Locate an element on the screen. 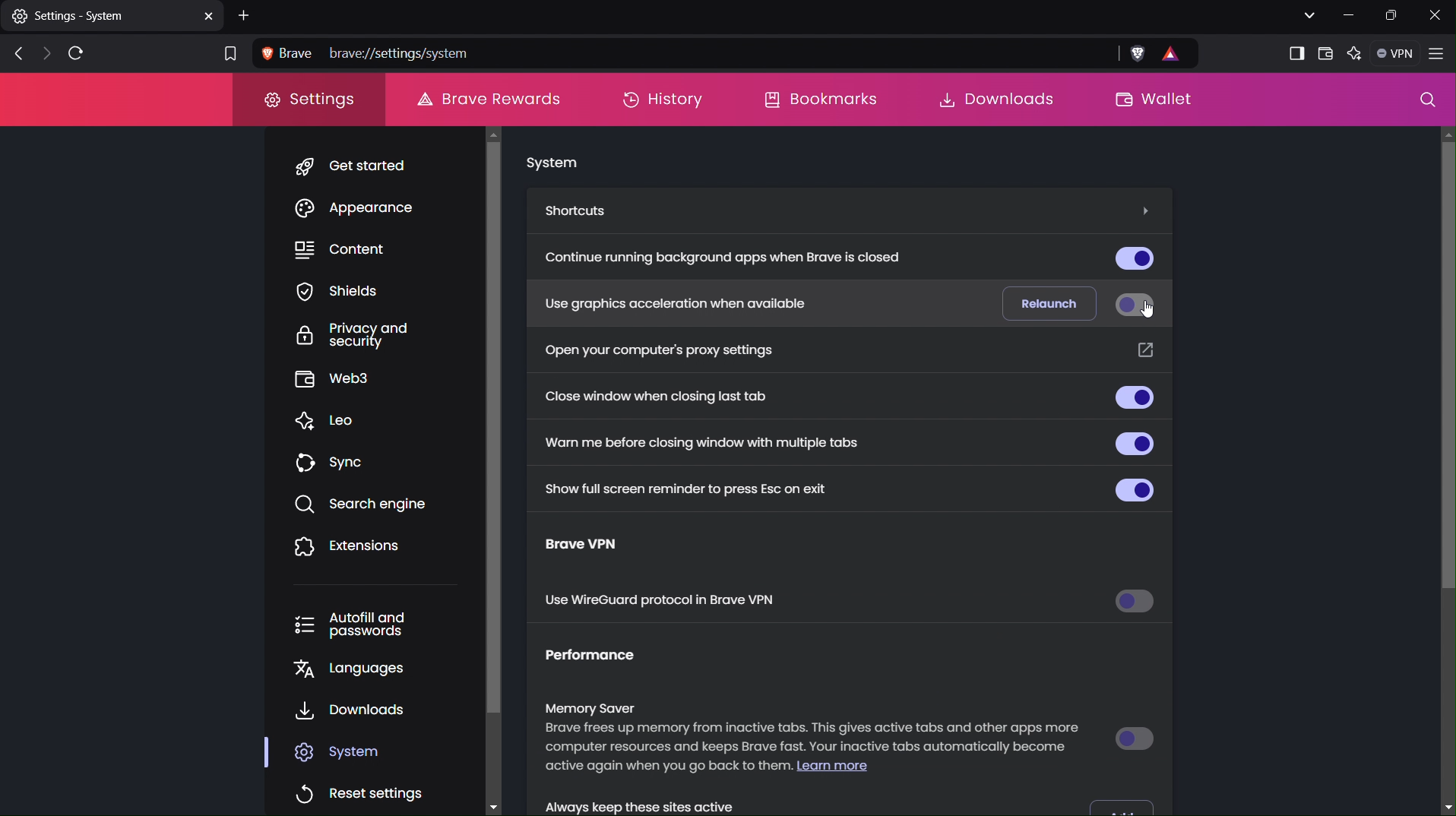  Leo is located at coordinates (335, 422).